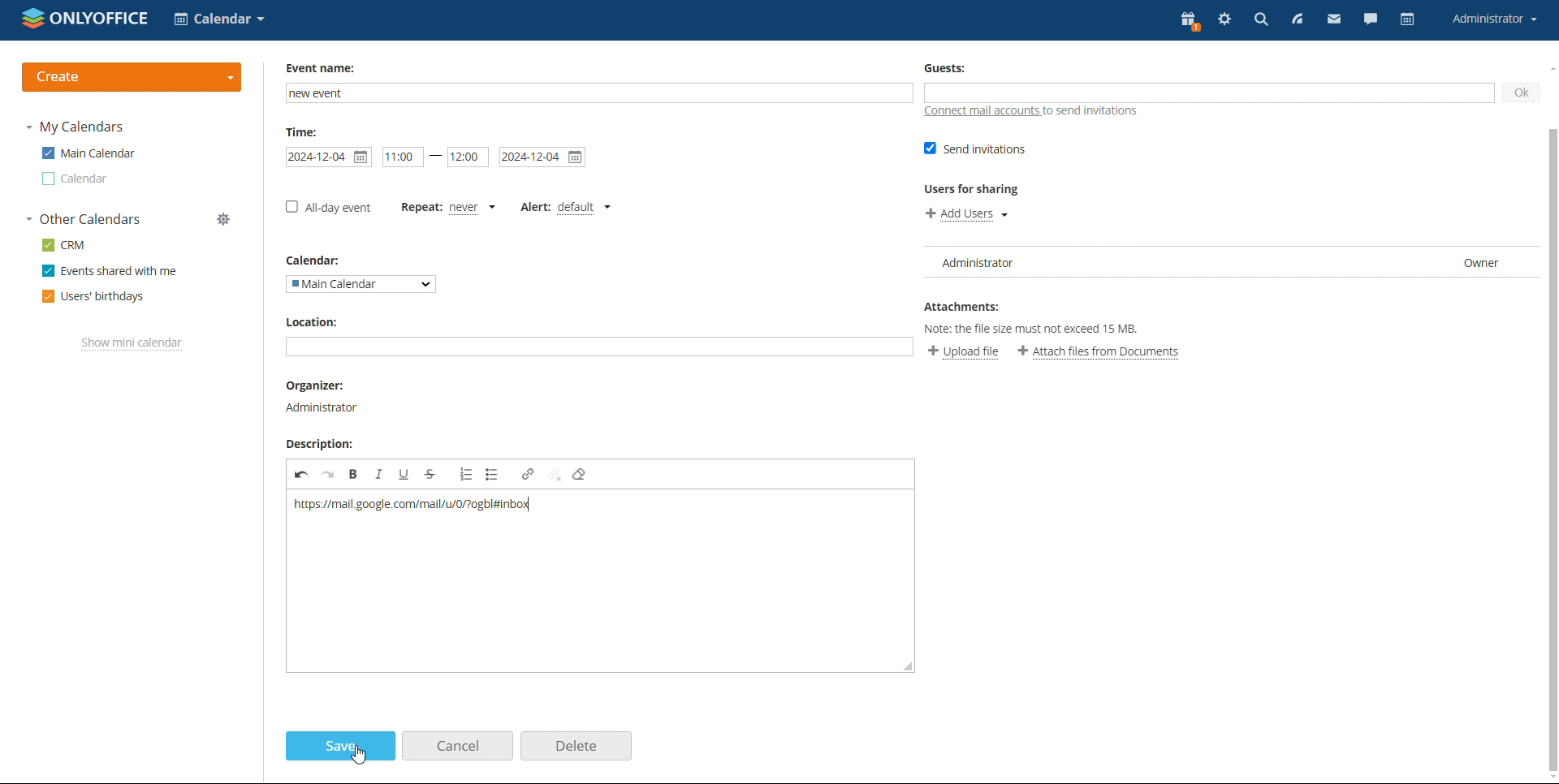 The width and height of the screenshot is (1559, 784). What do you see at coordinates (379, 476) in the screenshot?
I see `italic` at bounding box center [379, 476].